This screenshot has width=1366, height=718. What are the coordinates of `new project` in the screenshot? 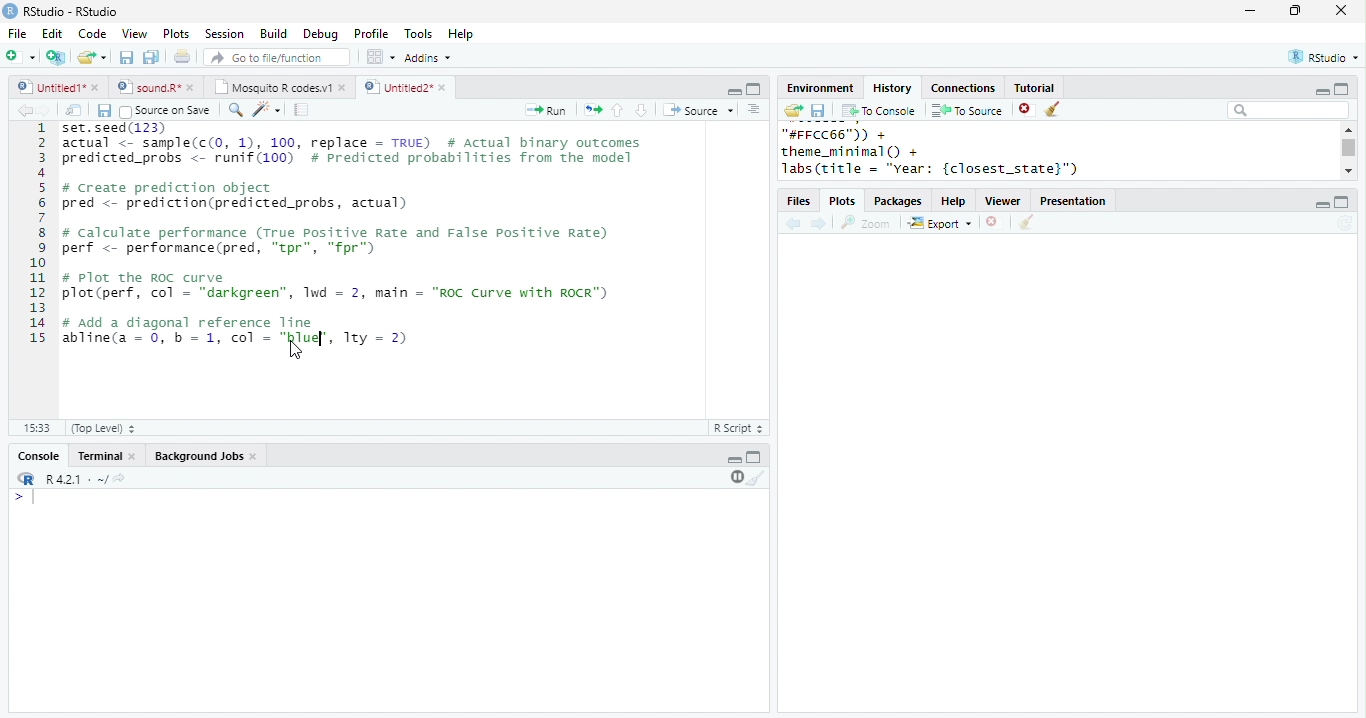 It's located at (57, 57).